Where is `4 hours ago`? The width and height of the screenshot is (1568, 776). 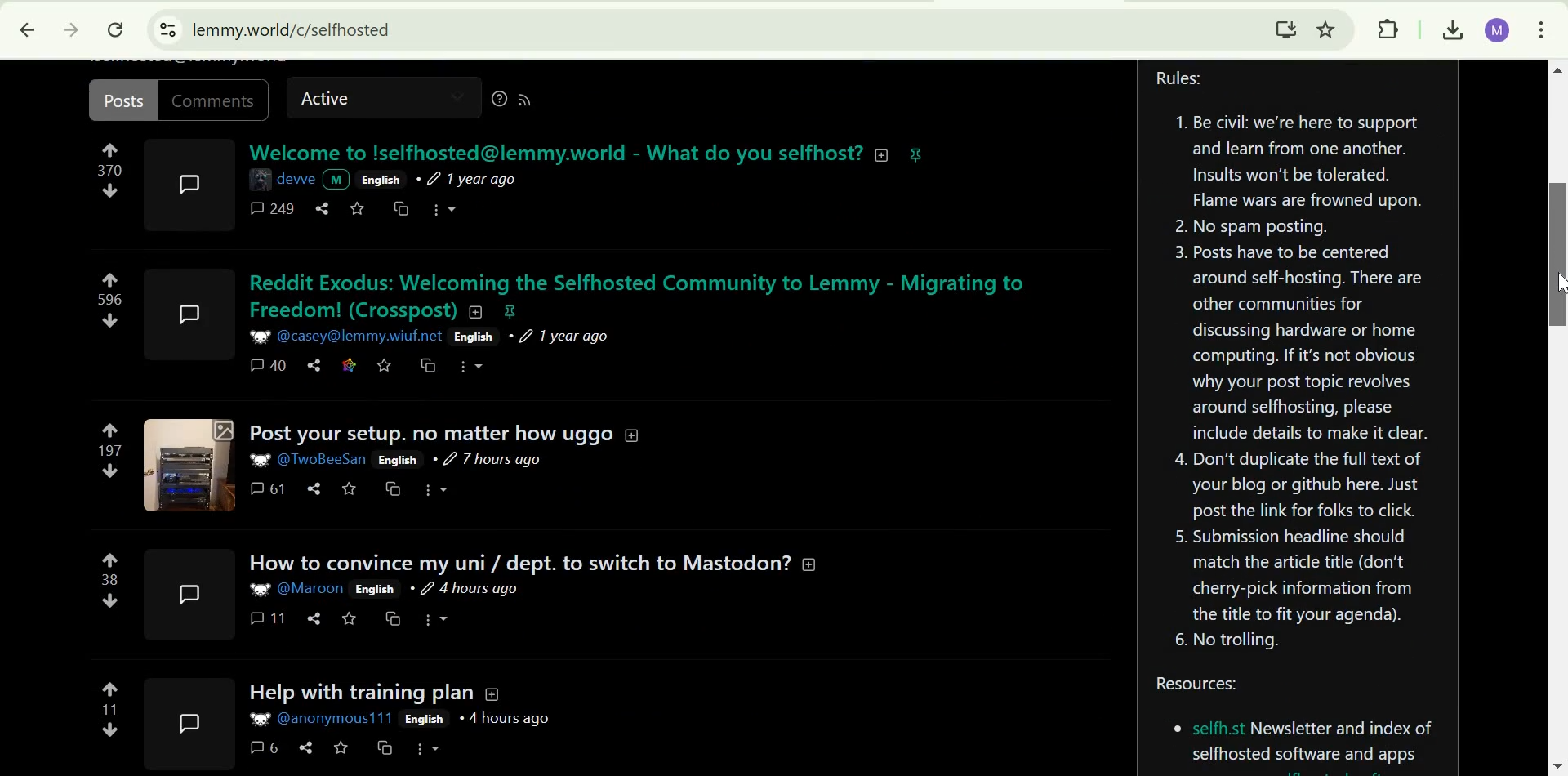 4 hours ago is located at coordinates (506, 719).